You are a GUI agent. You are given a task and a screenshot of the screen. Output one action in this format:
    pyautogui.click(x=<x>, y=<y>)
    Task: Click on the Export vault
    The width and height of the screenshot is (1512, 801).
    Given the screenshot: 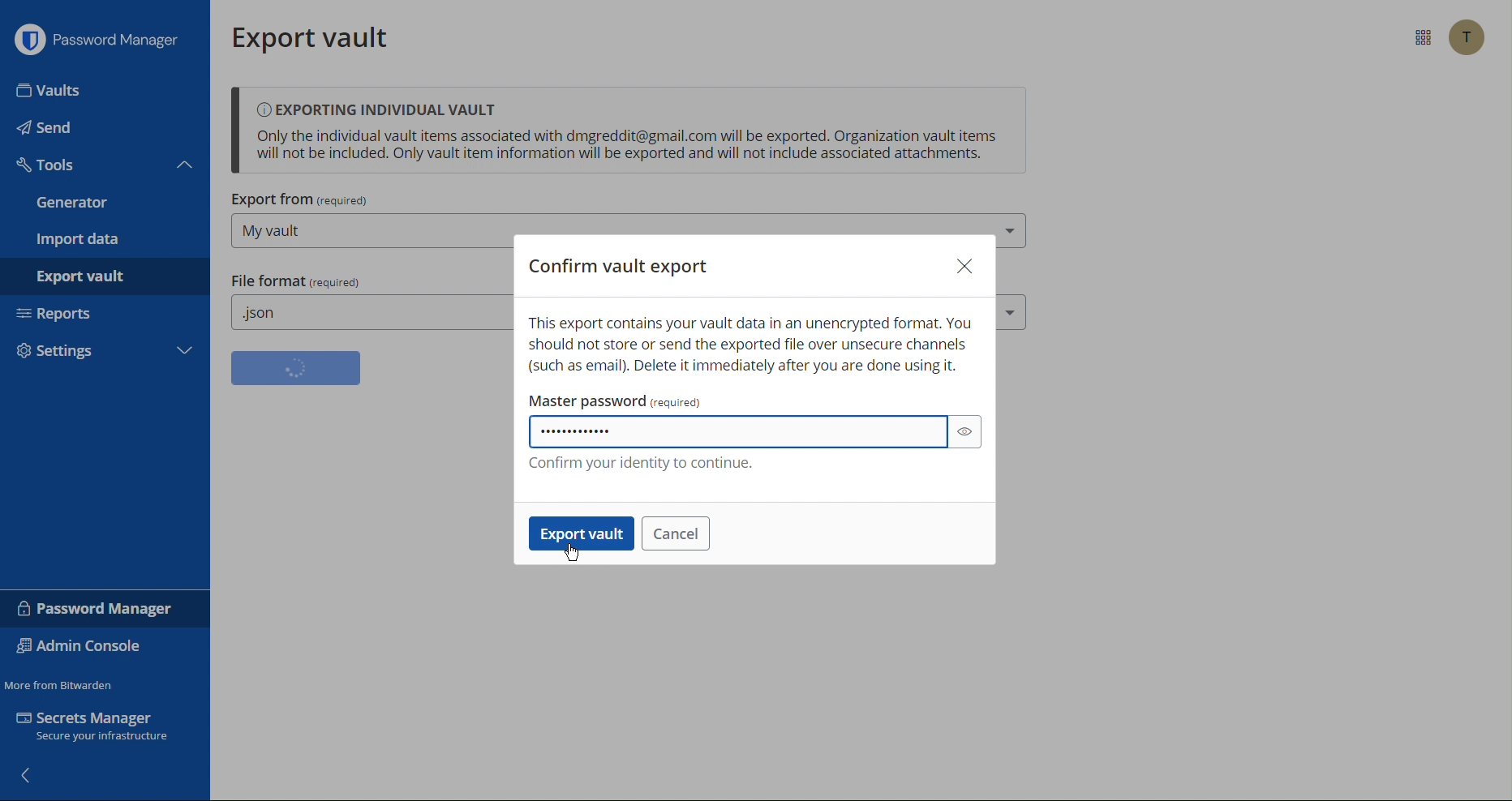 What is the action you would take?
    pyautogui.click(x=319, y=37)
    